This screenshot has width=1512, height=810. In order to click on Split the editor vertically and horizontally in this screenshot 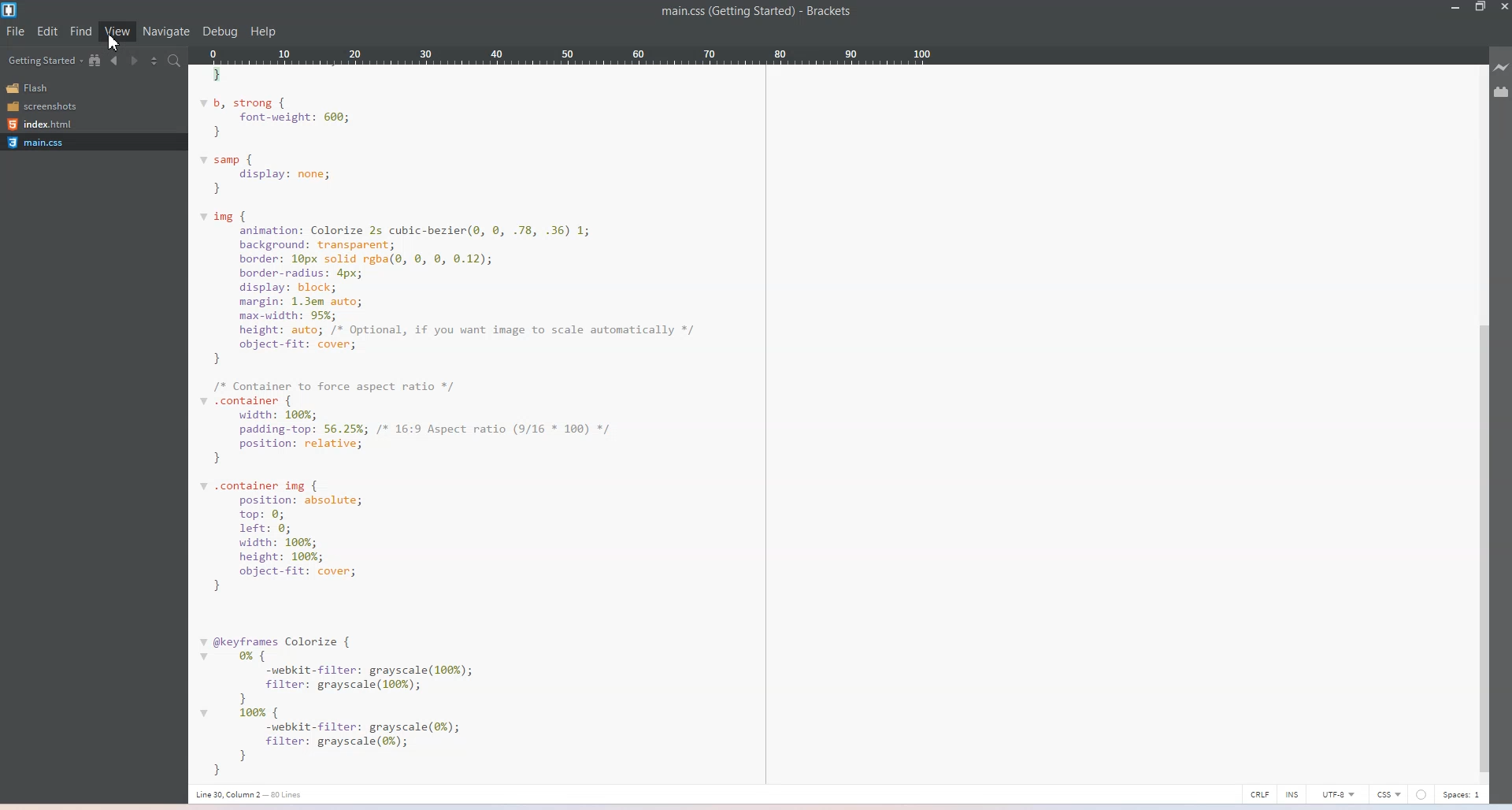, I will do `click(154, 59)`.